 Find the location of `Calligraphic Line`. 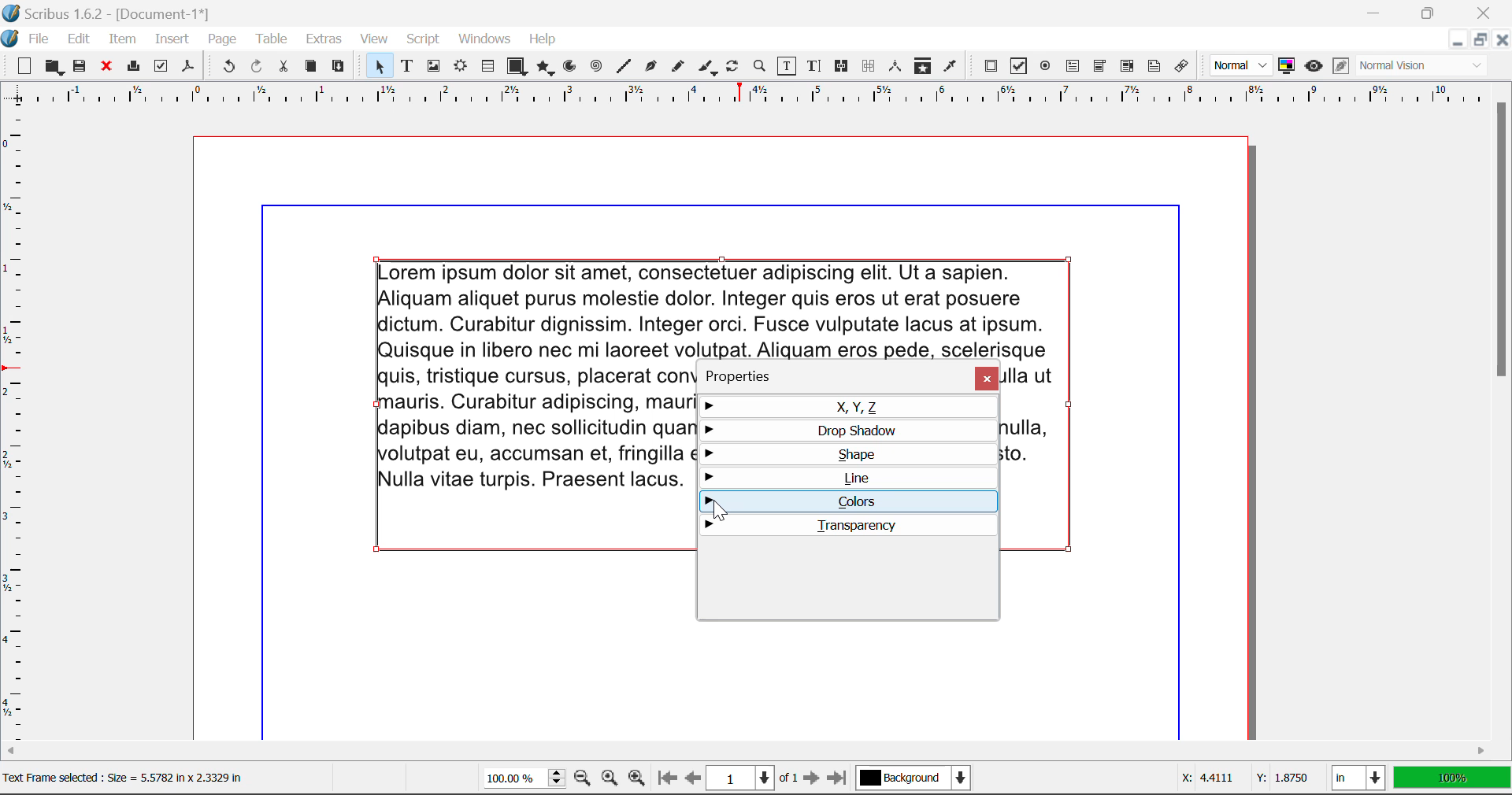

Calligraphic Line is located at coordinates (709, 69).